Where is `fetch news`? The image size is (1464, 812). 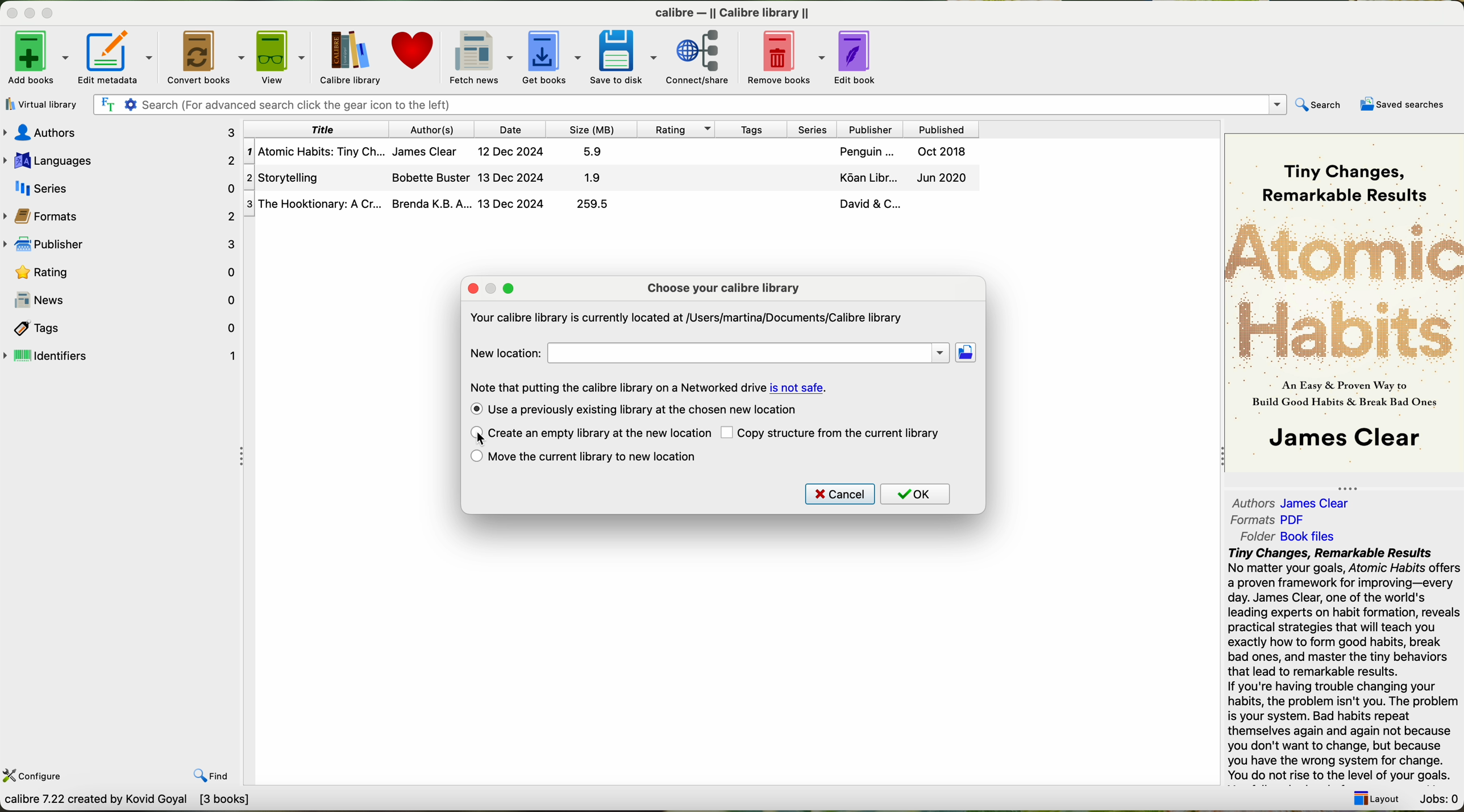 fetch news is located at coordinates (479, 56).